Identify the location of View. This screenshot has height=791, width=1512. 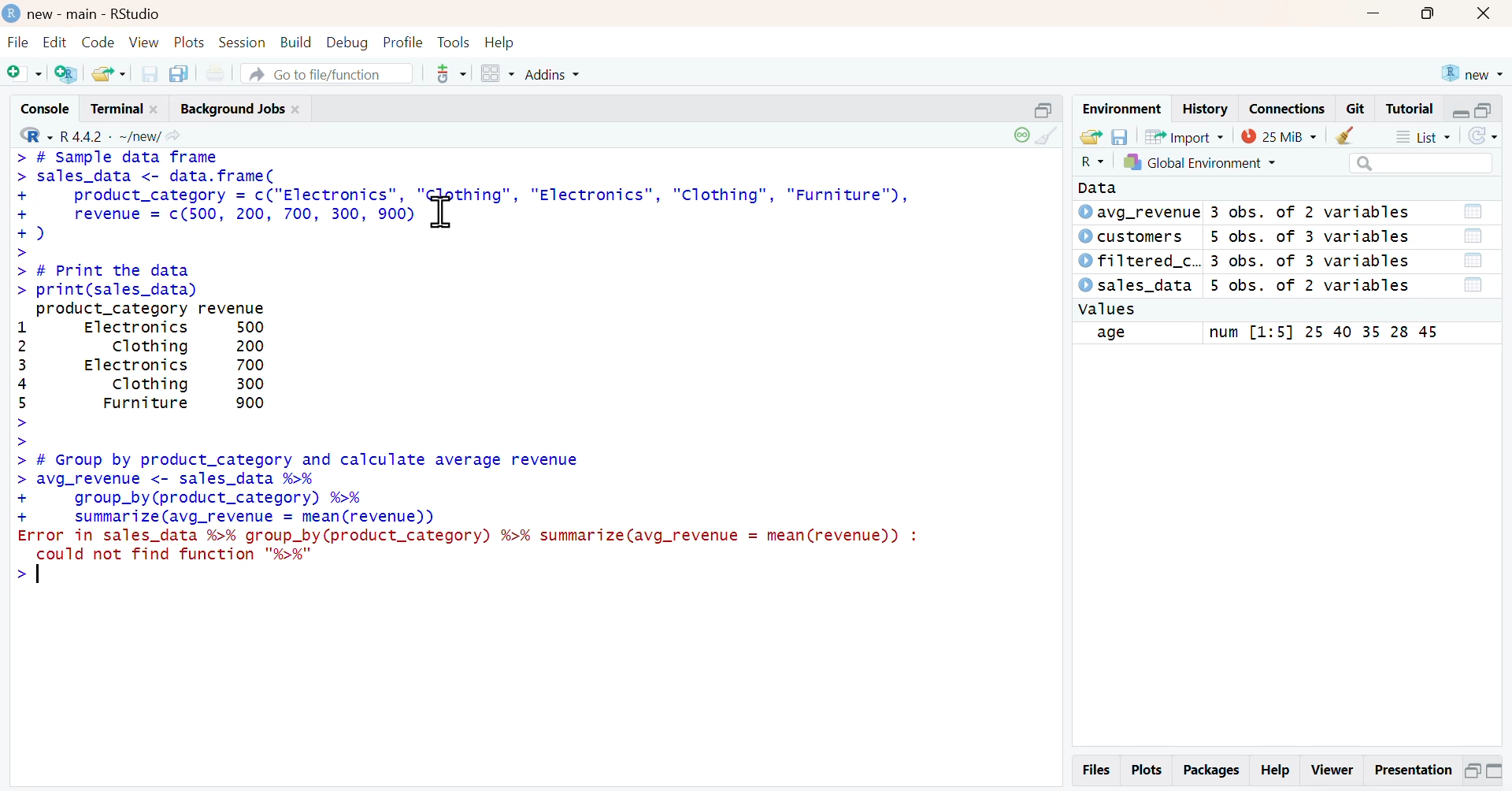
(145, 43).